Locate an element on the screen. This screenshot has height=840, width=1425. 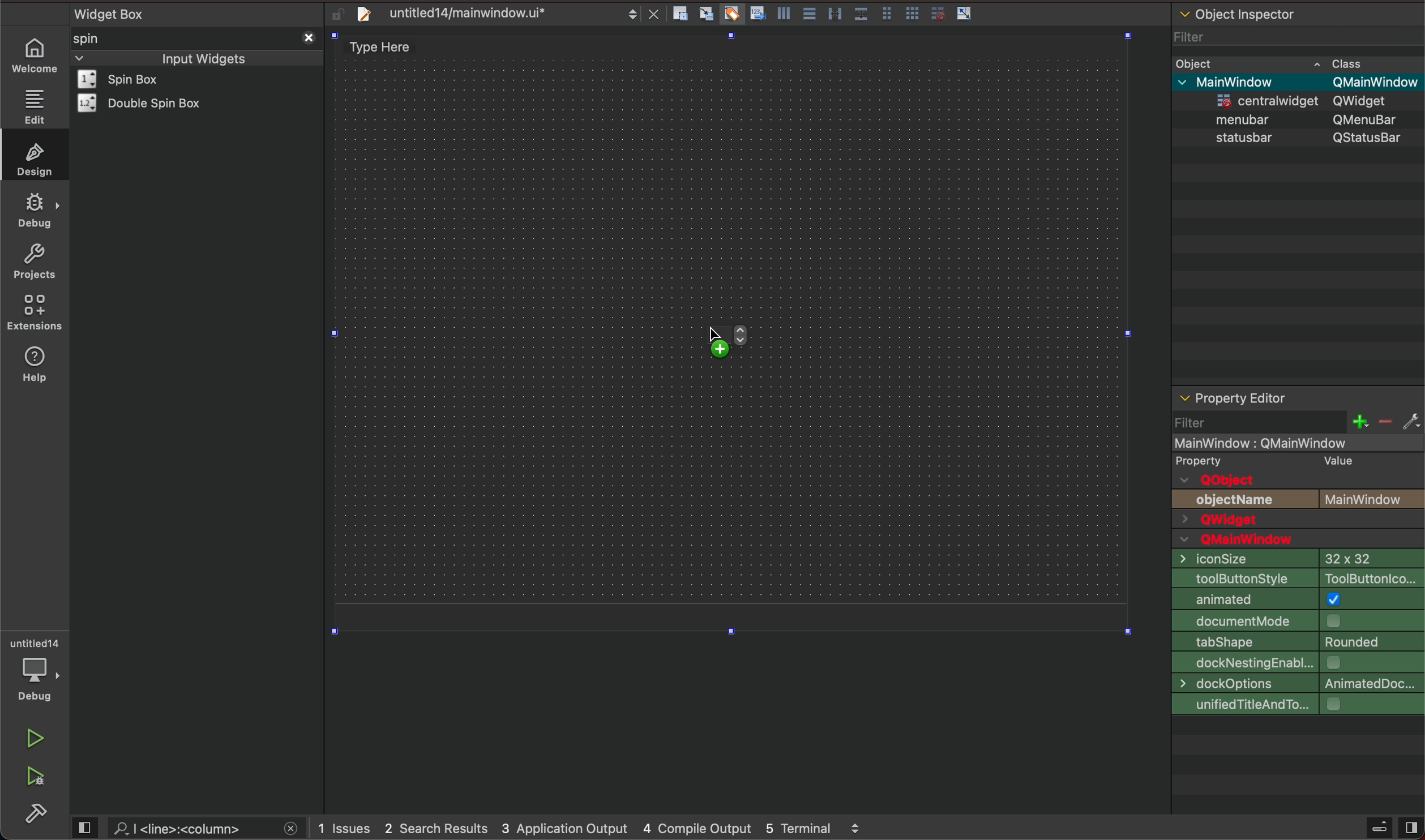
document mode is located at coordinates (1299, 620).